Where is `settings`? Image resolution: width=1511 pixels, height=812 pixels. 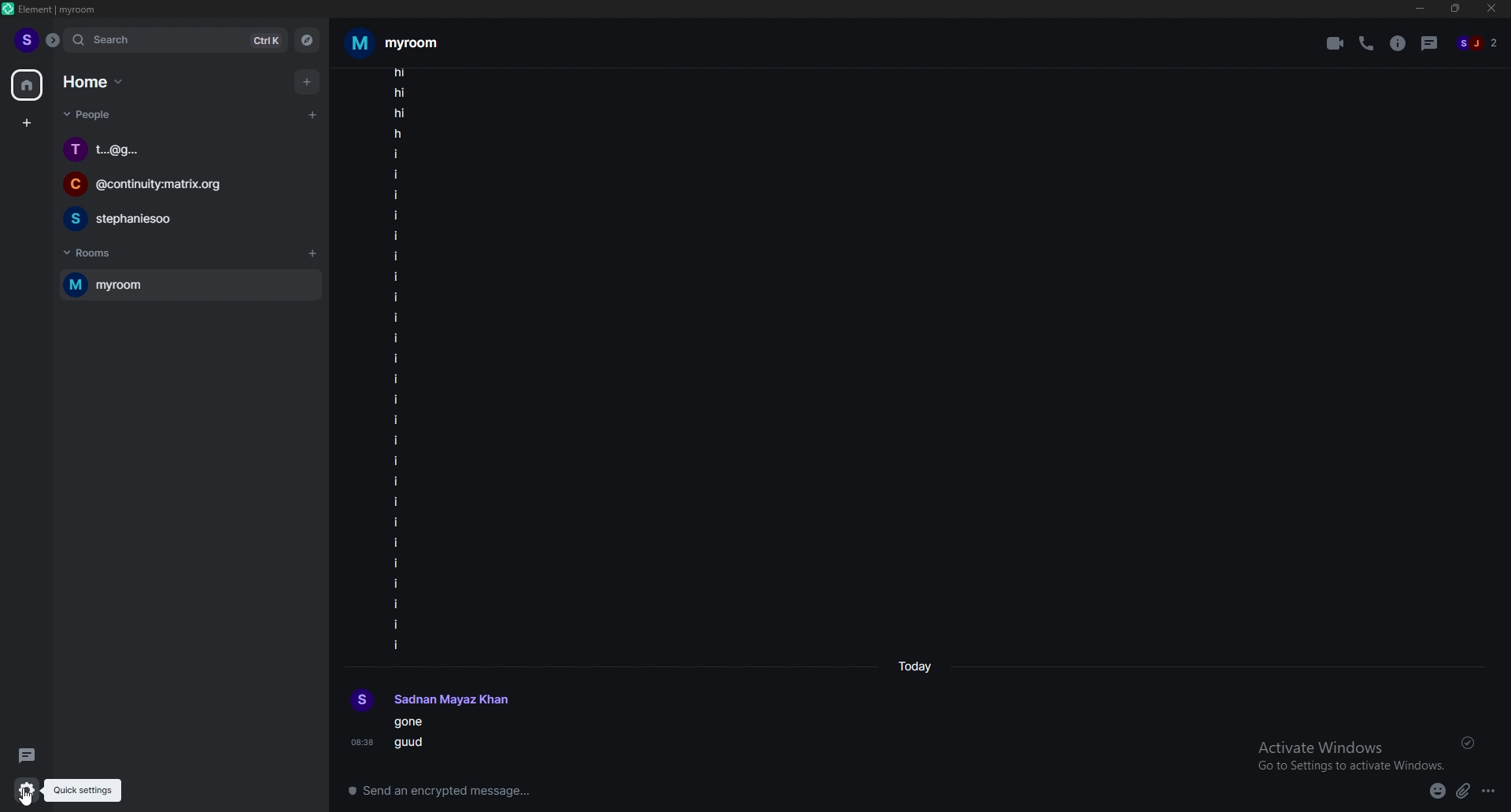 settings is located at coordinates (24, 789).